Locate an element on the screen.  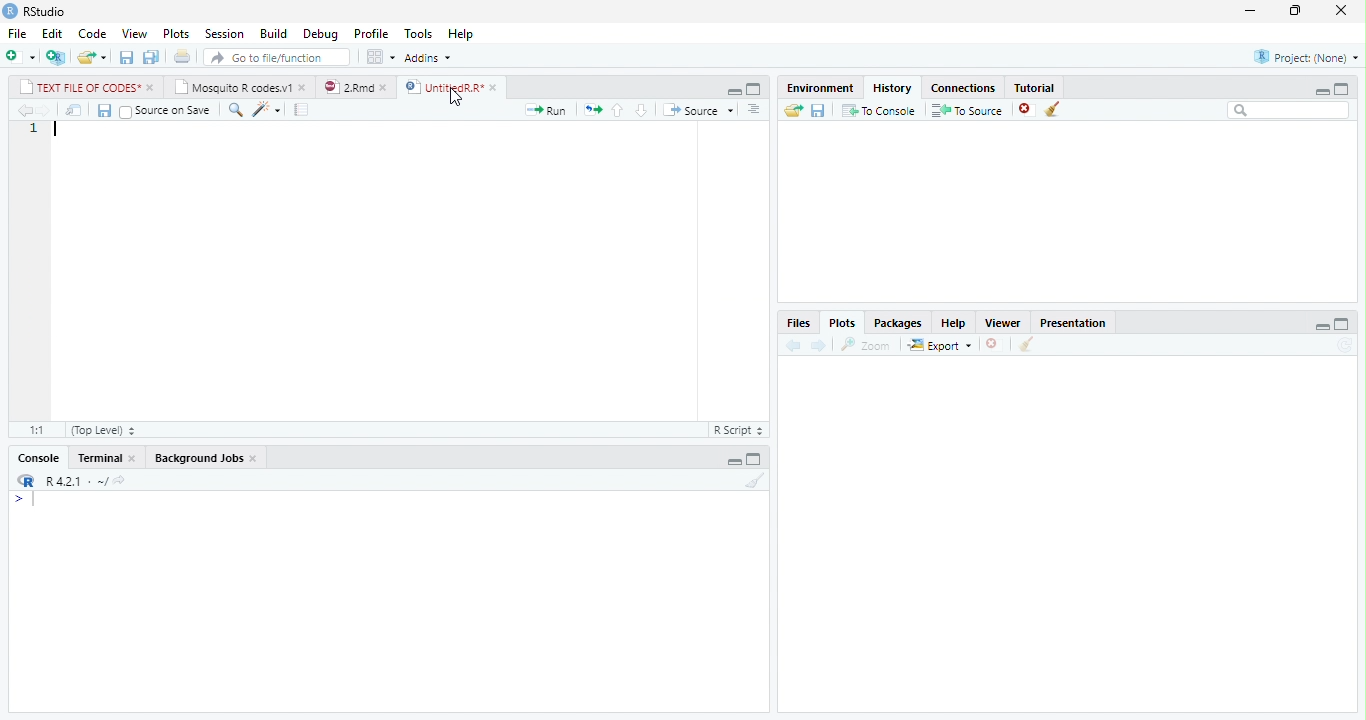
> is located at coordinates (26, 499).